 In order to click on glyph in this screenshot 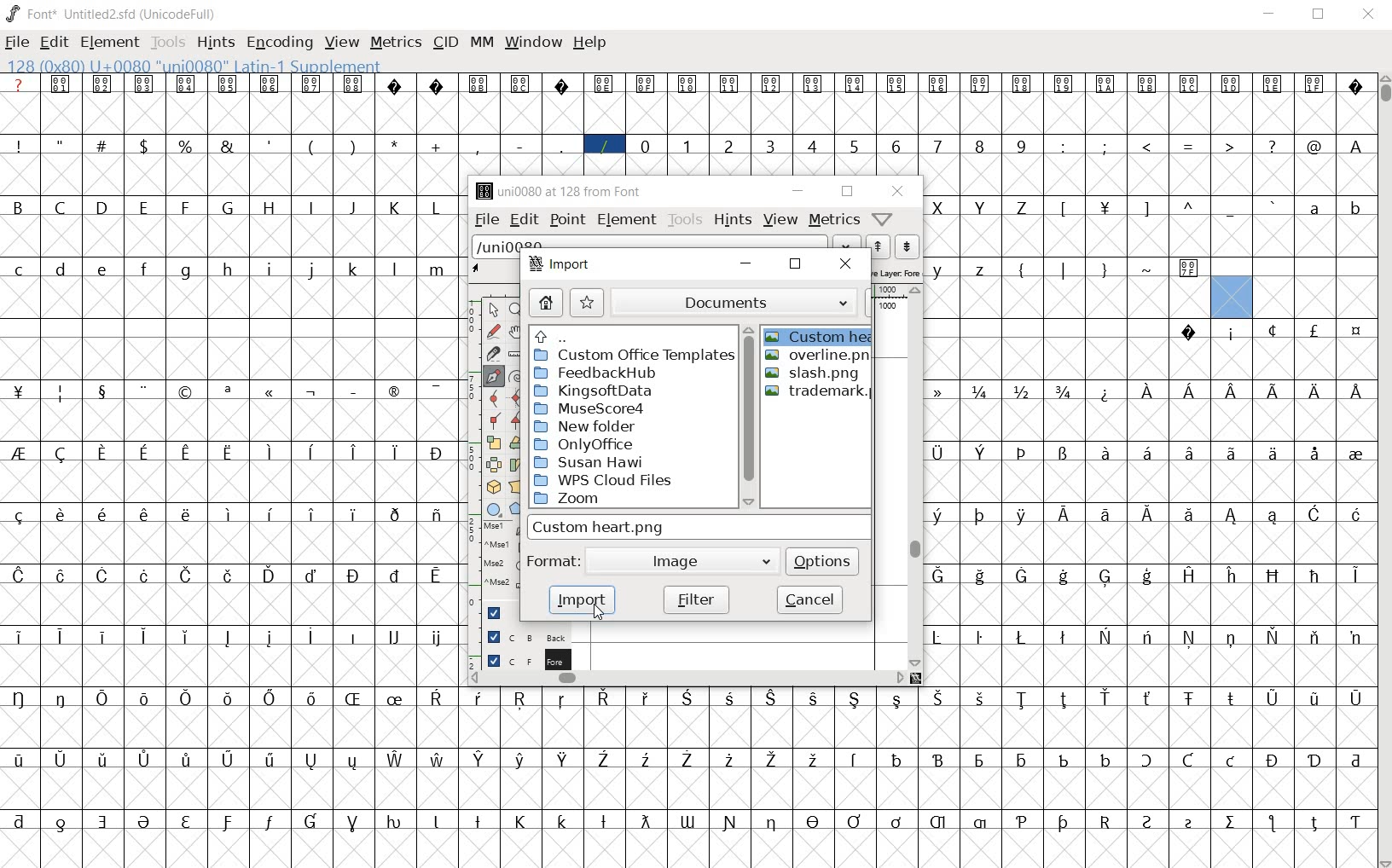, I will do `click(229, 699)`.